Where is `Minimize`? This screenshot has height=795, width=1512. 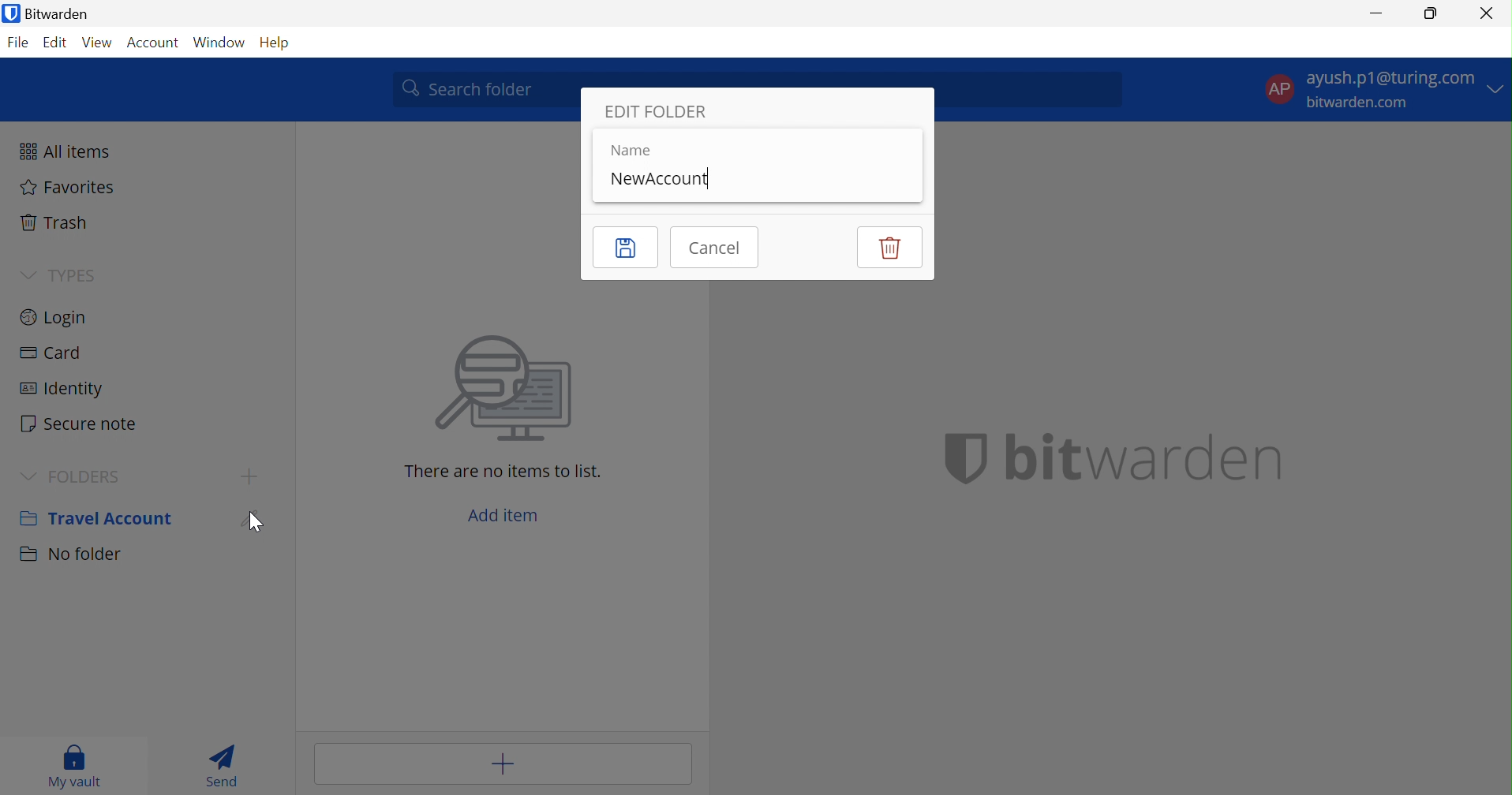
Minimize is located at coordinates (1374, 15).